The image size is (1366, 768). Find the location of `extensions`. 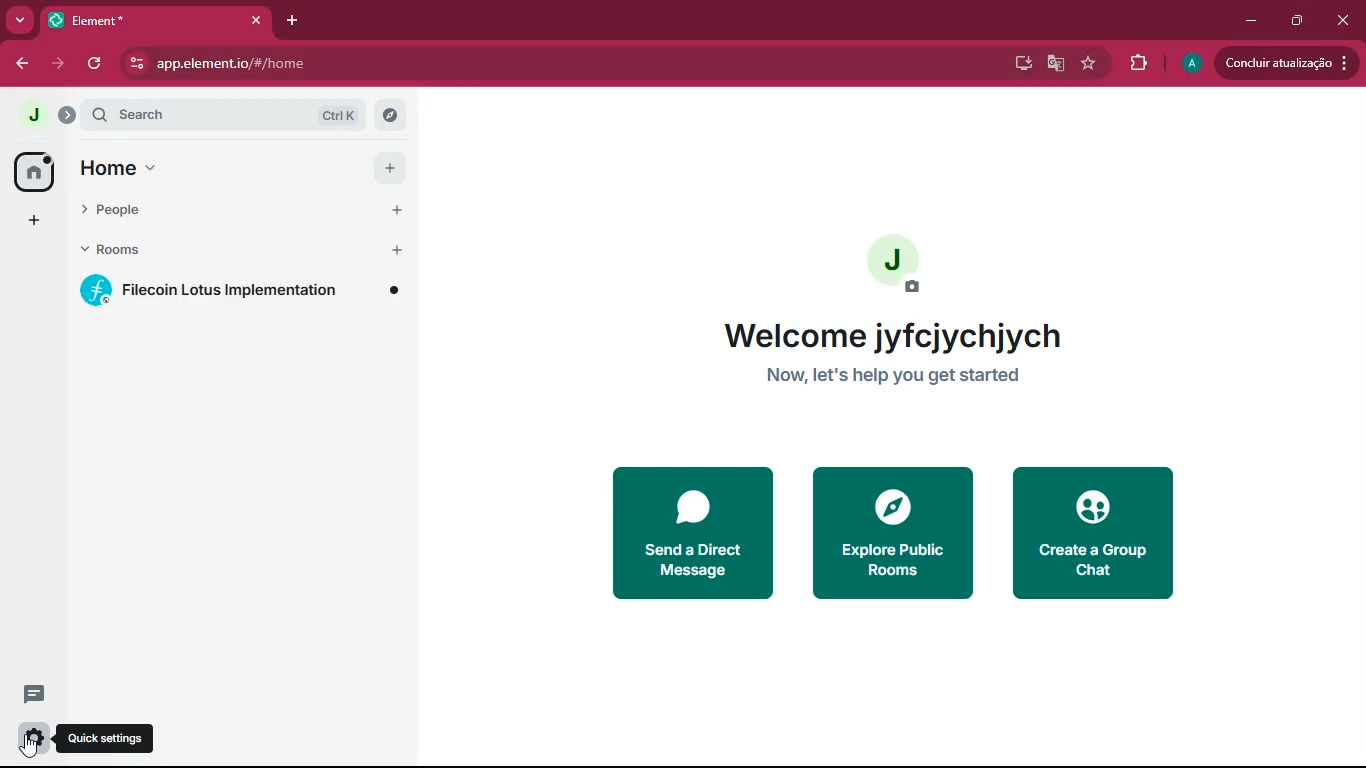

extensions is located at coordinates (1141, 65).